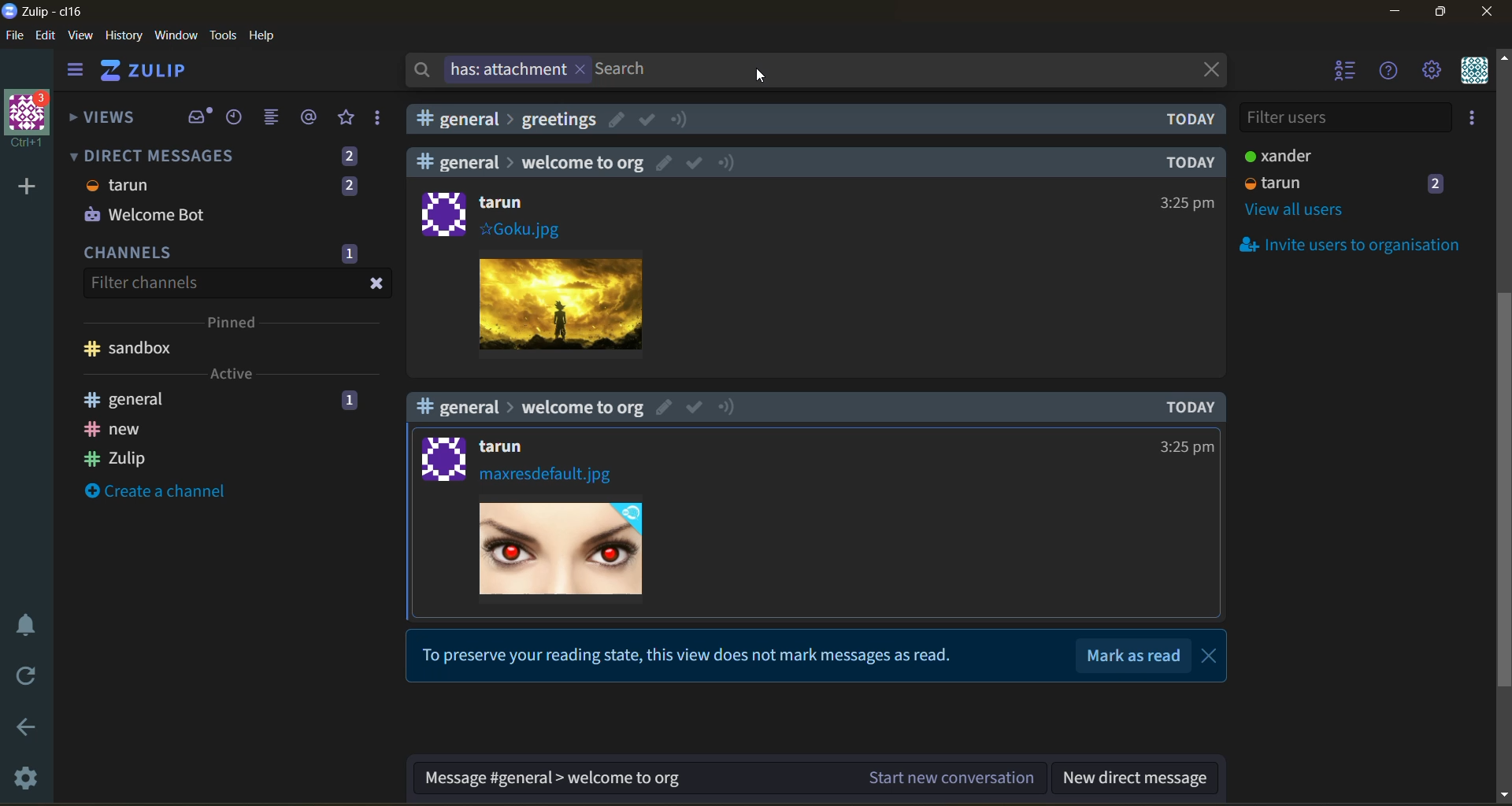 The image size is (1512, 806). What do you see at coordinates (1344, 119) in the screenshot?
I see `filter users` at bounding box center [1344, 119].